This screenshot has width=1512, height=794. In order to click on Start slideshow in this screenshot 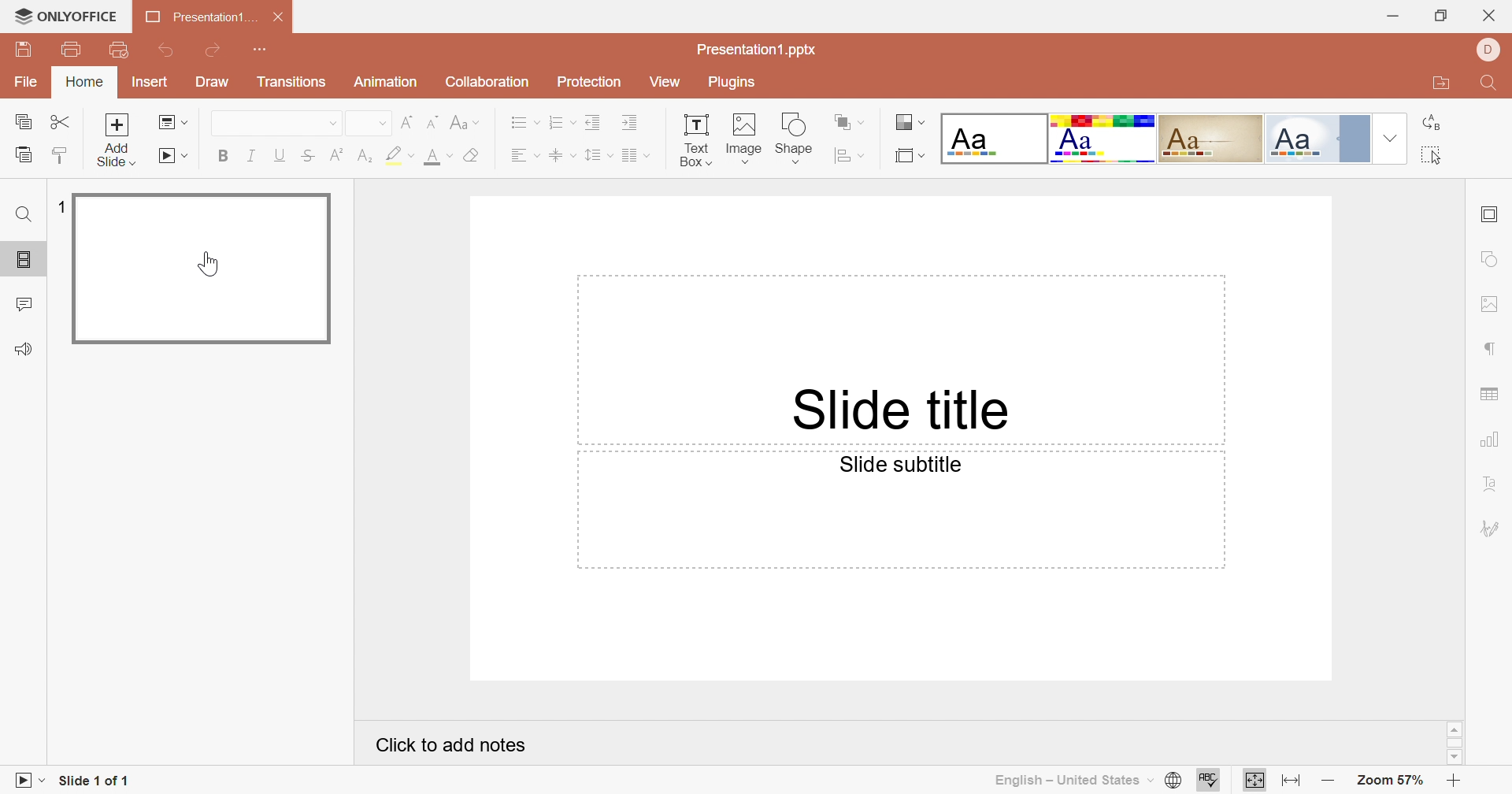, I will do `click(26, 781)`.